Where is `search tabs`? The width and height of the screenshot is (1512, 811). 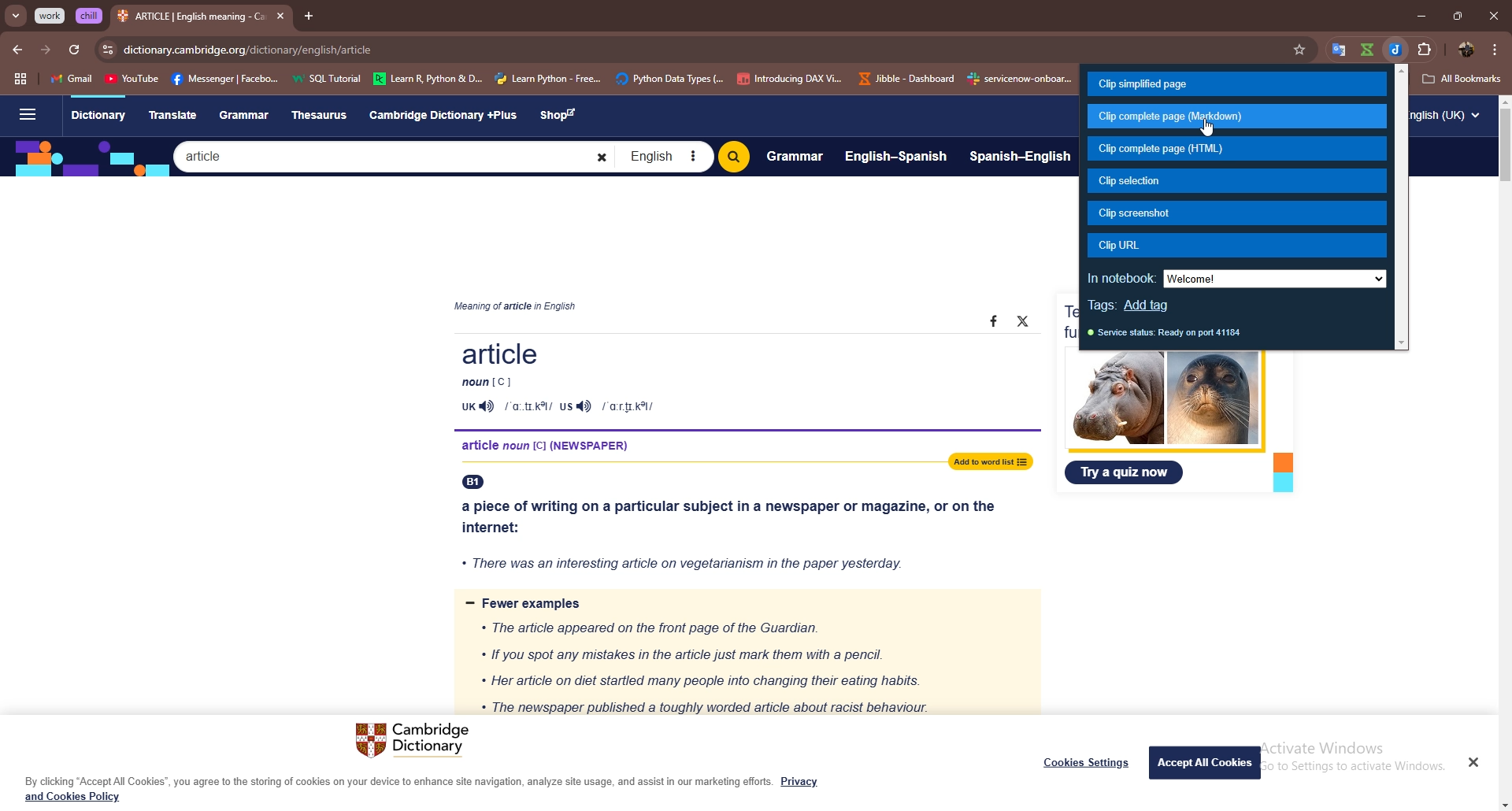
search tabs is located at coordinates (17, 17).